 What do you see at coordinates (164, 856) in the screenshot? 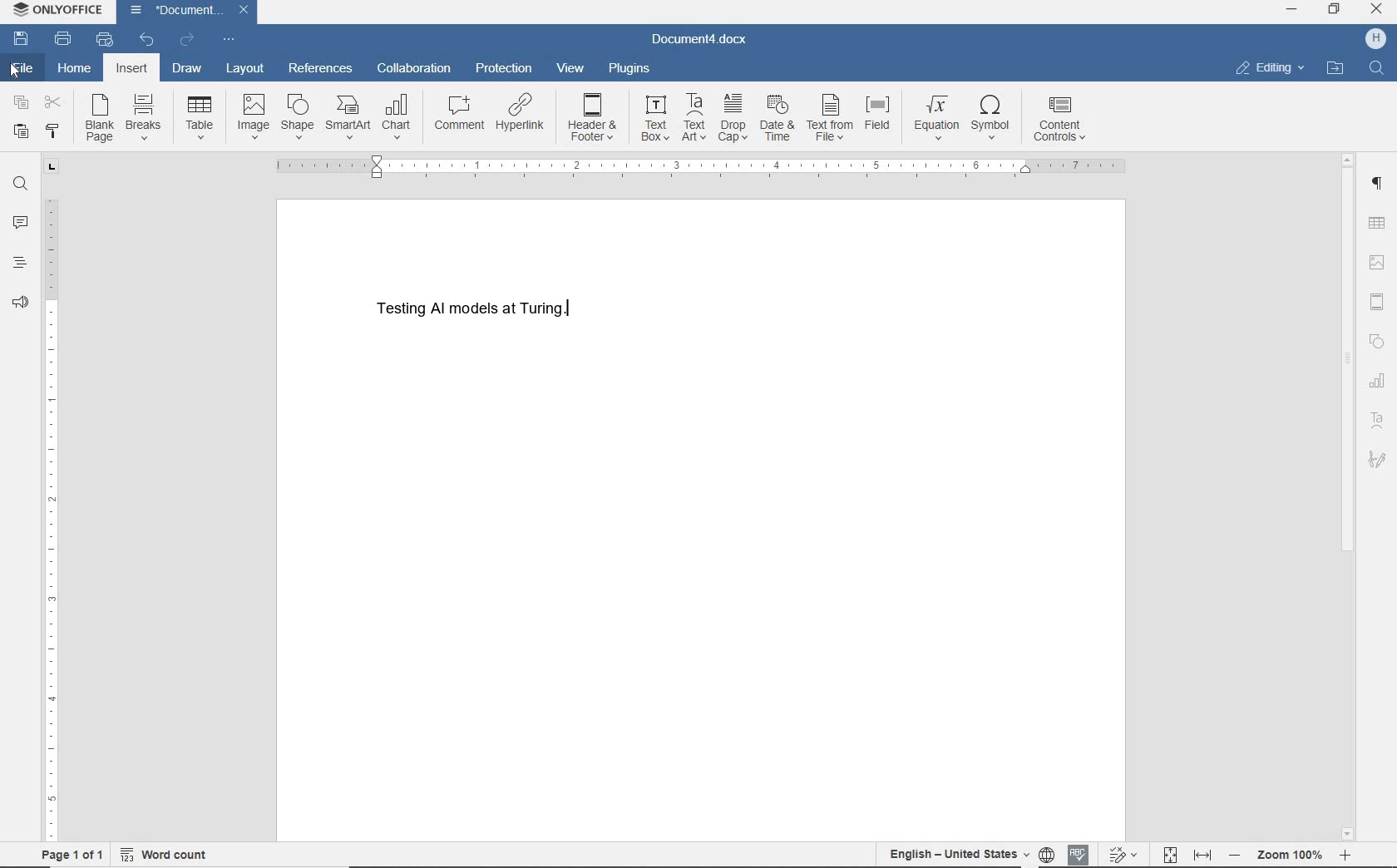
I see `word count` at bounding box center [164, 856].